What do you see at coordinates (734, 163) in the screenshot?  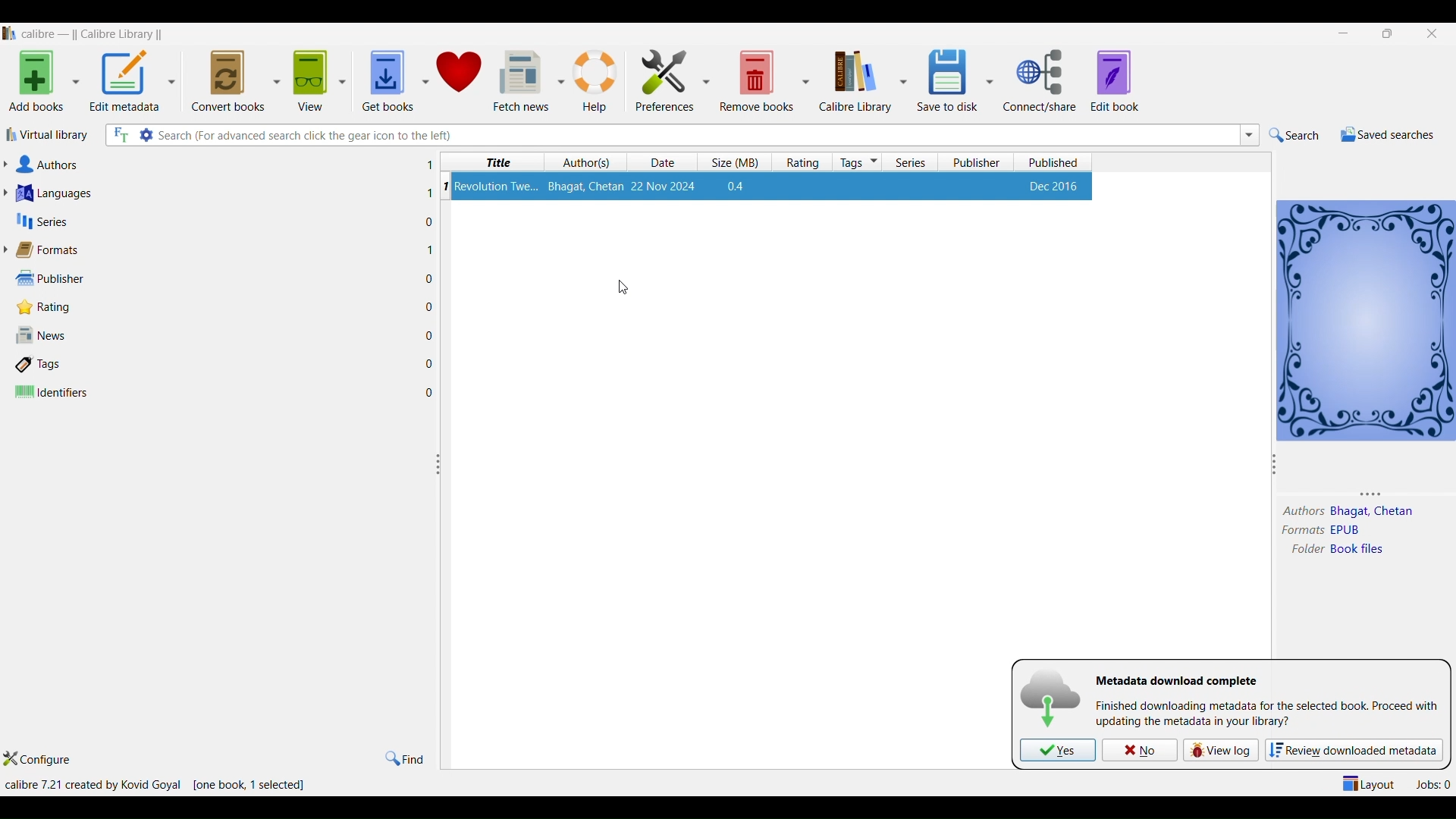 I see `size` at bounding box center [734, 163].